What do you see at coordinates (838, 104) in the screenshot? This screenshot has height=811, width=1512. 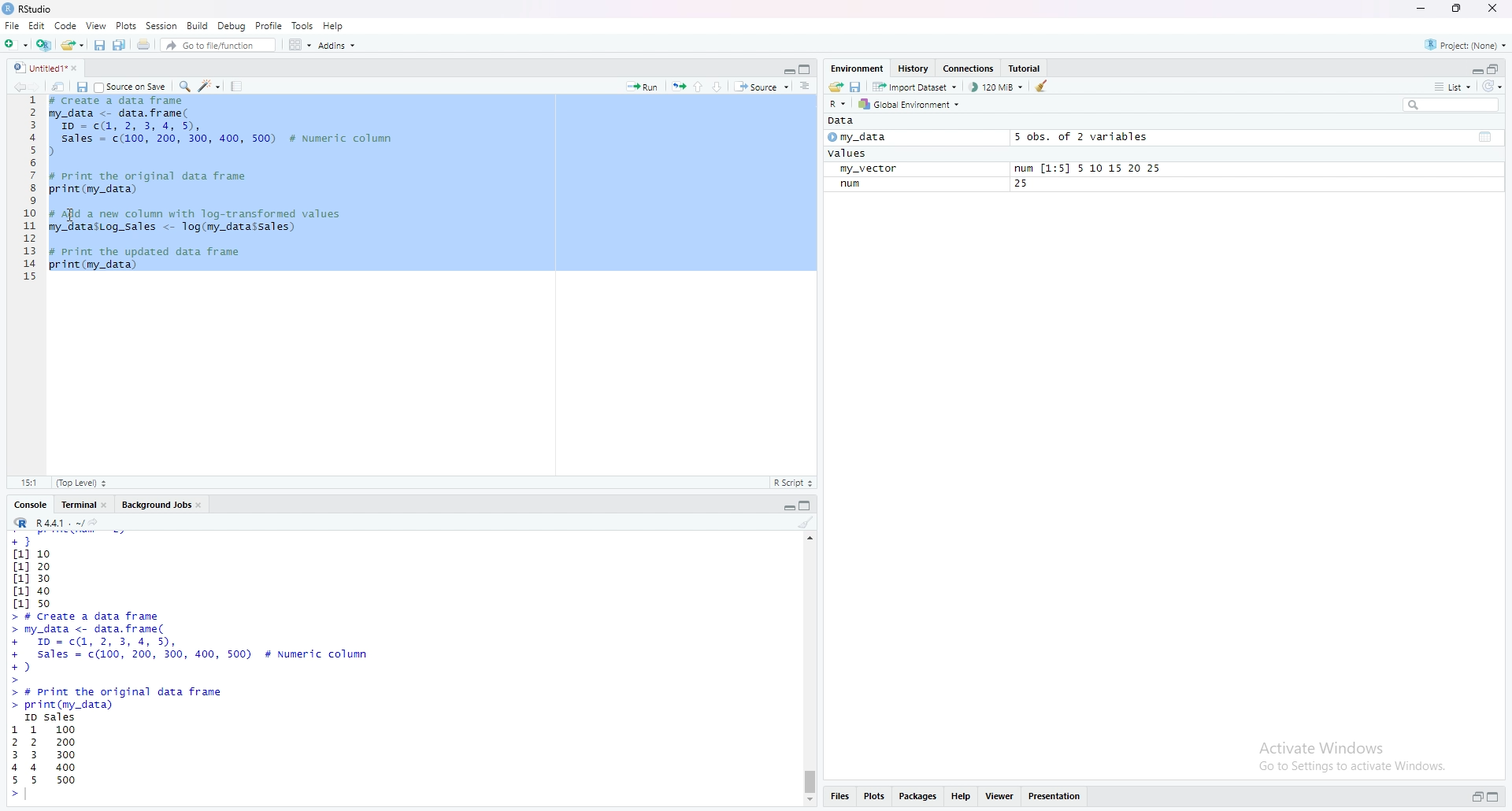 I see `language change` at bounding box center [838, 104].